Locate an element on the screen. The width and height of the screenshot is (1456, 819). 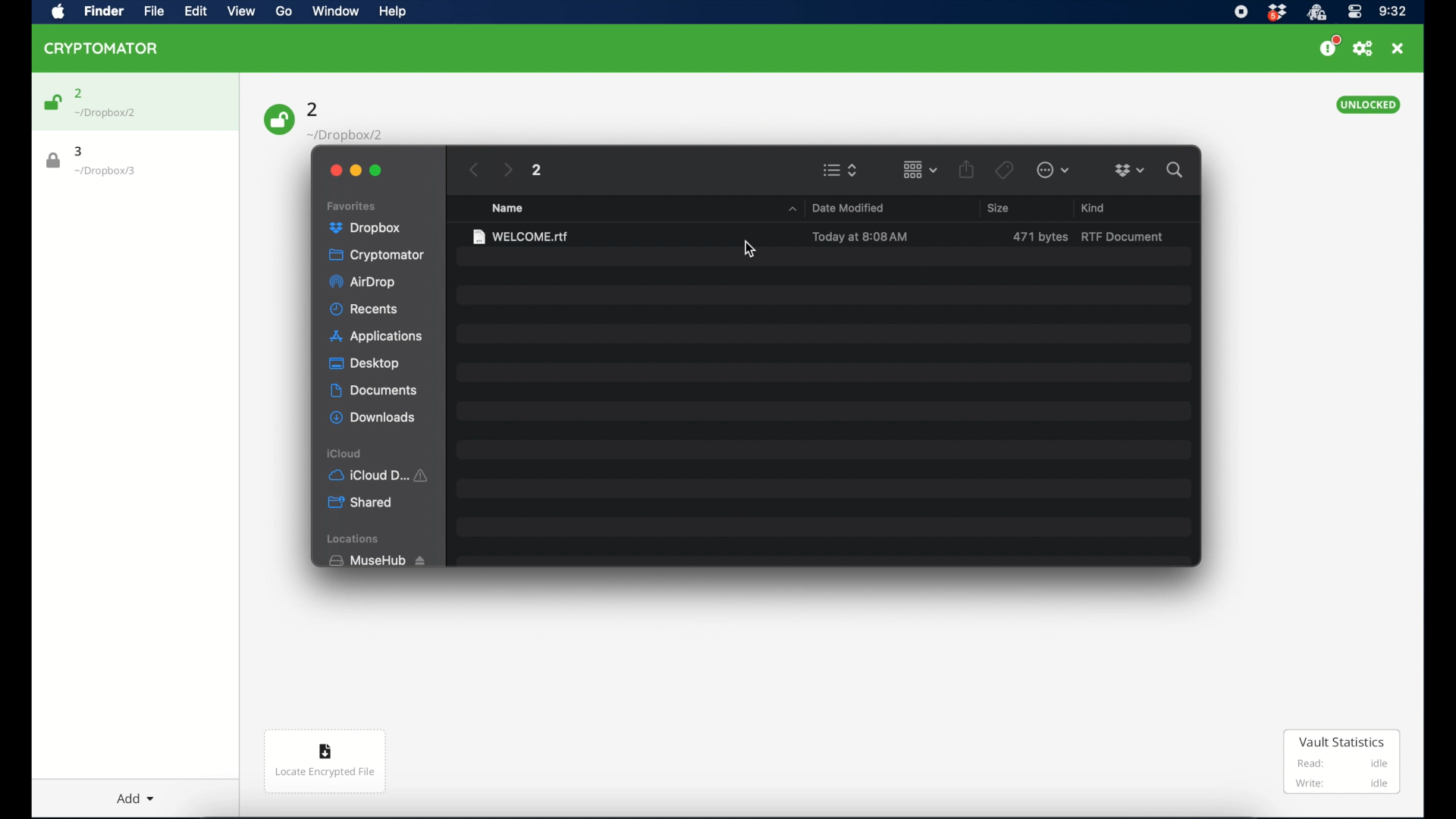
recents is located at coordinates (366, 309).